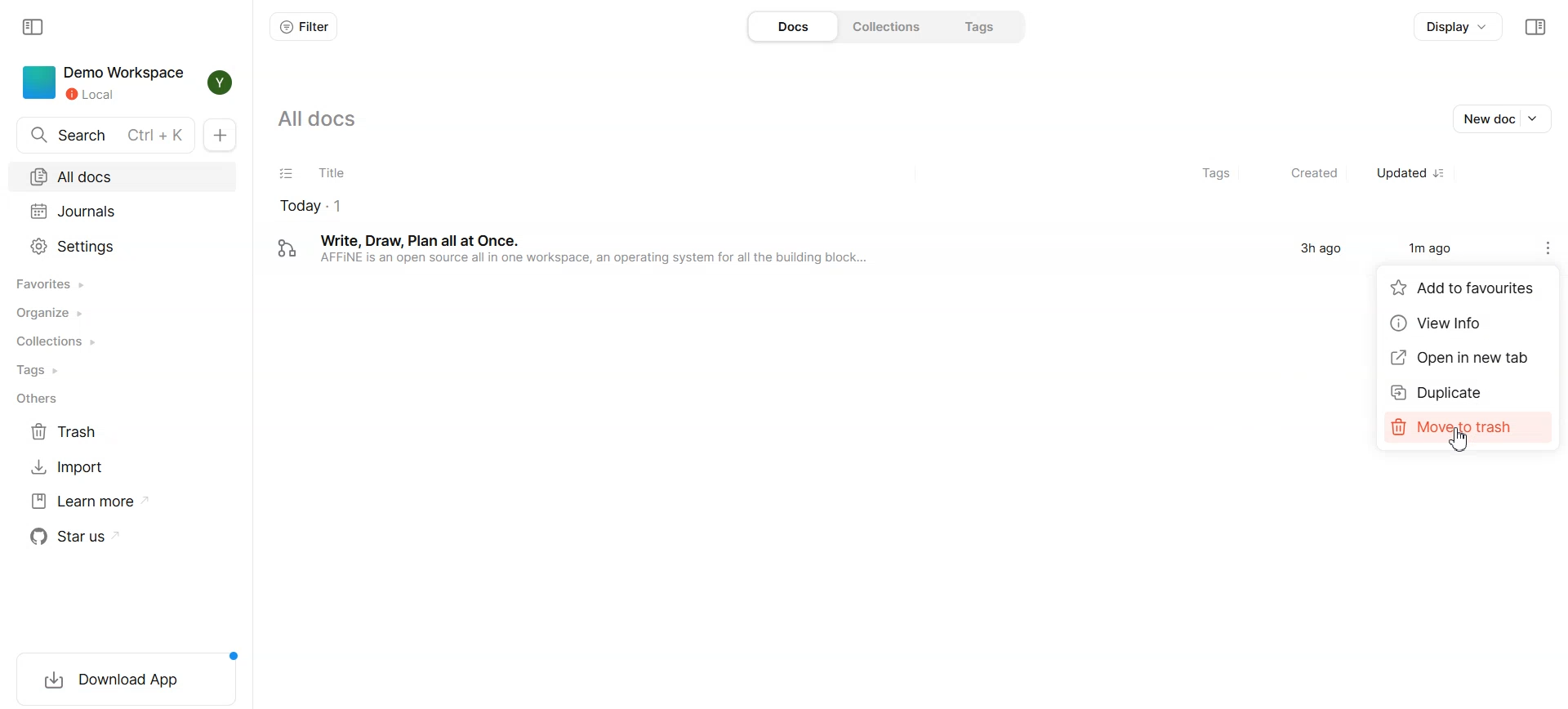 The height and width of the screenshot is (709, 1568). I want to click on New doc, so click(1501, 118).